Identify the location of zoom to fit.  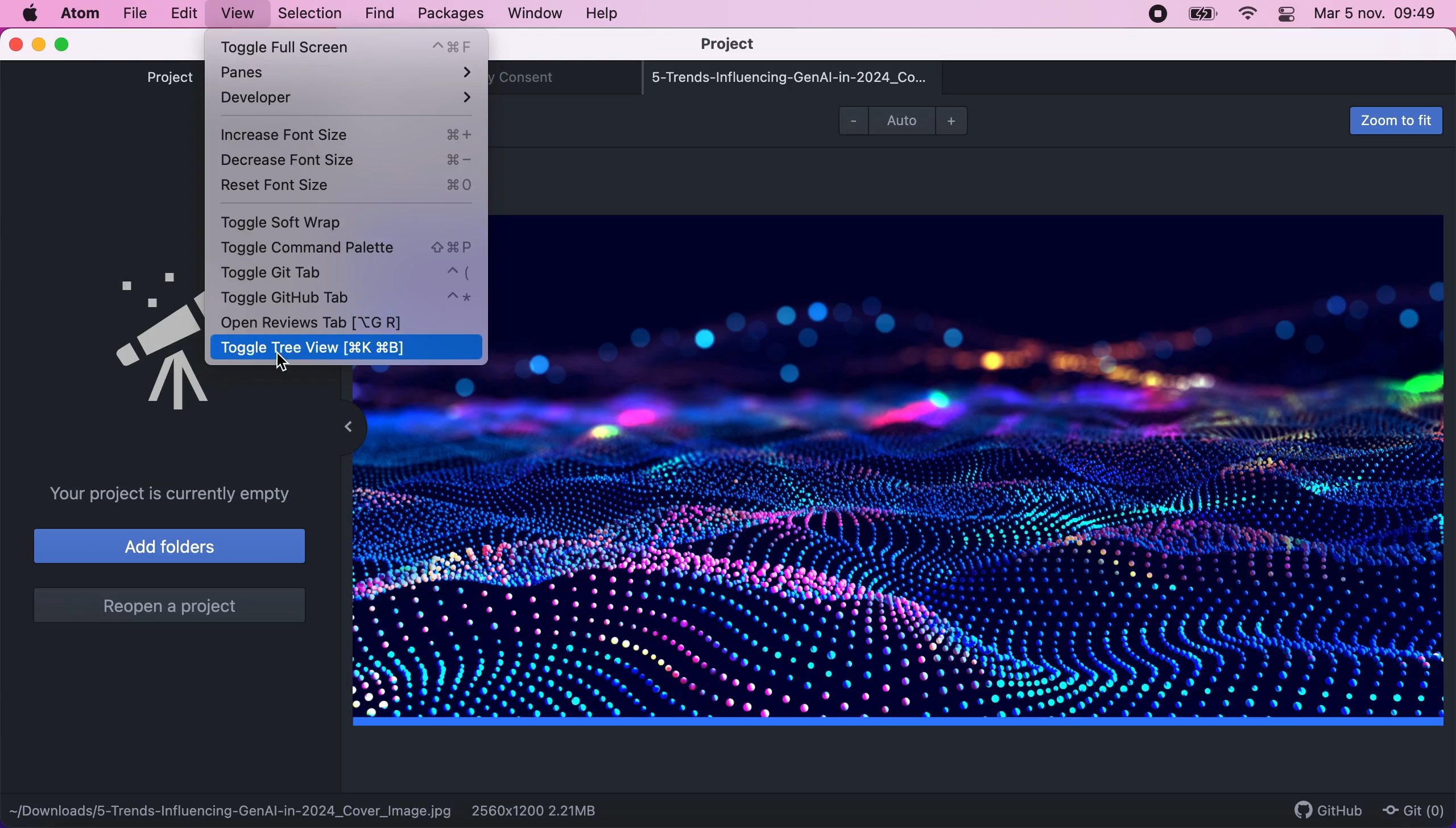
(1400, 121).